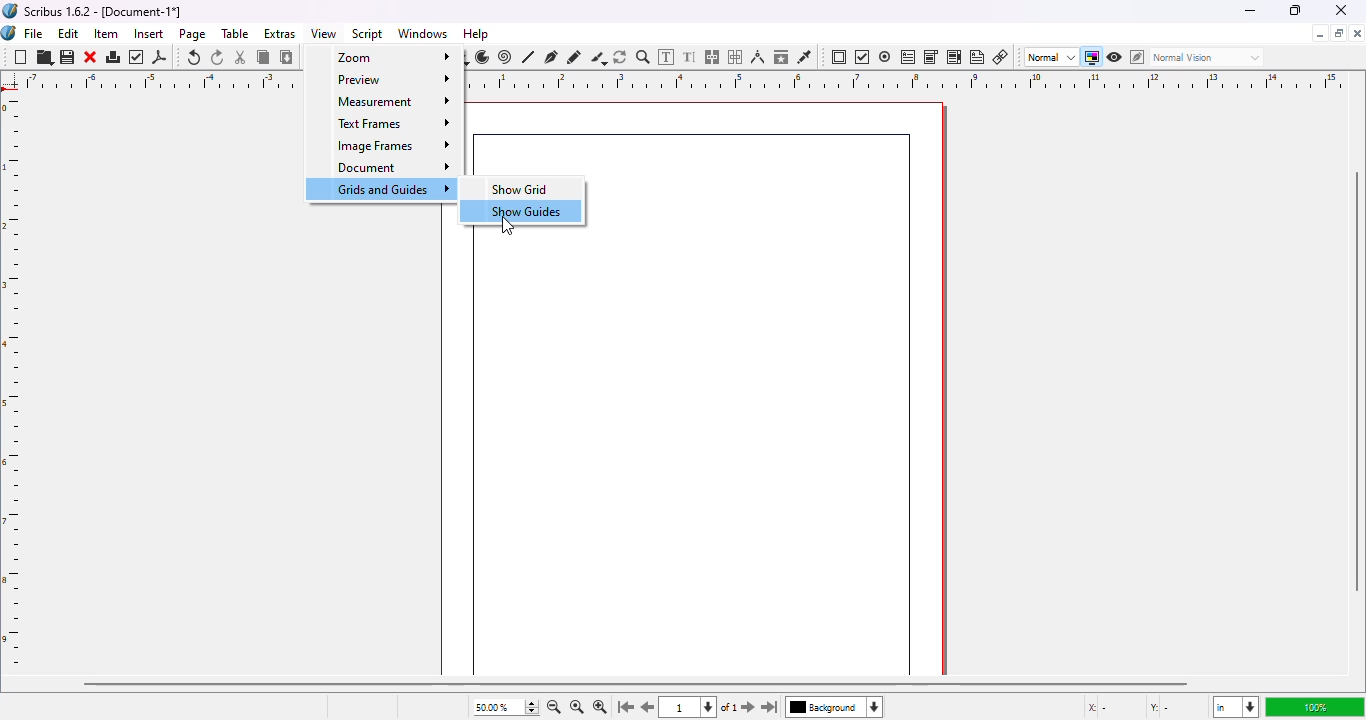 The height and width of the screenshot is (720, 1366). What do you see at coordinates (1115, 56) in the screenshot?
I see `preview mode` at bounding box center [1115, 56].